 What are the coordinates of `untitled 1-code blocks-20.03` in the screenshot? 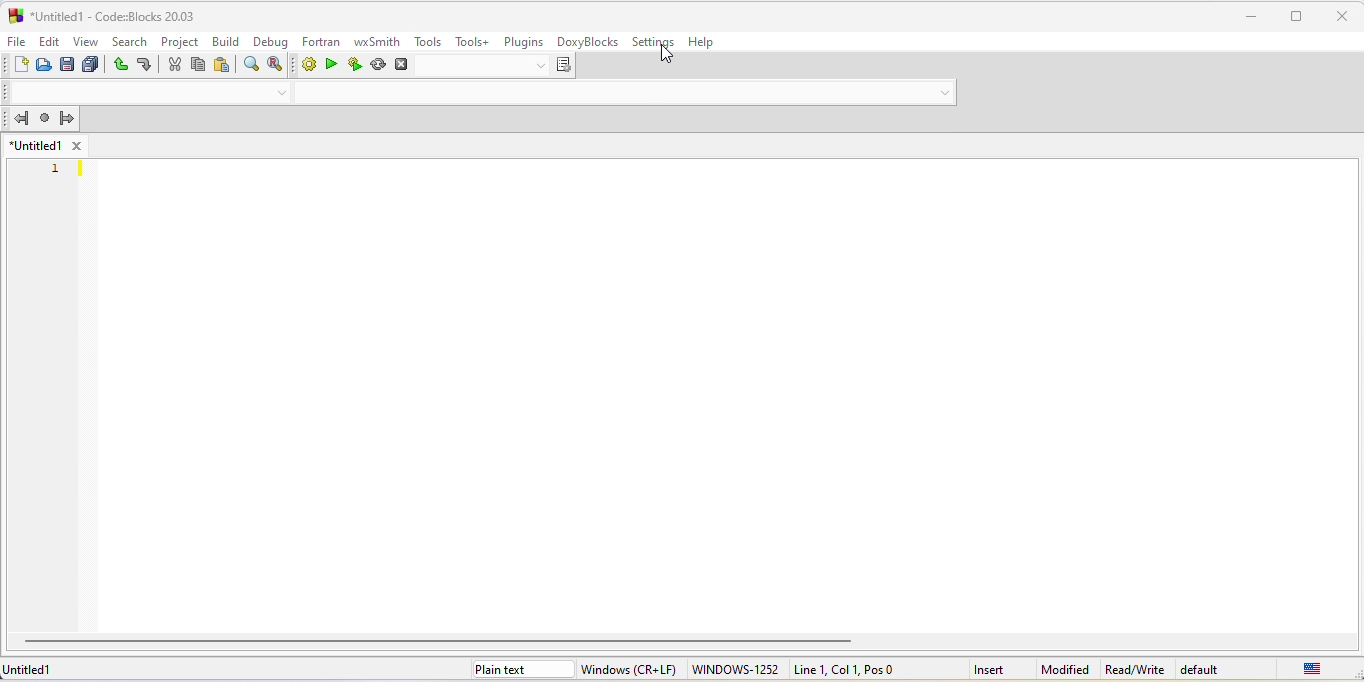 It's located at (113, 17).